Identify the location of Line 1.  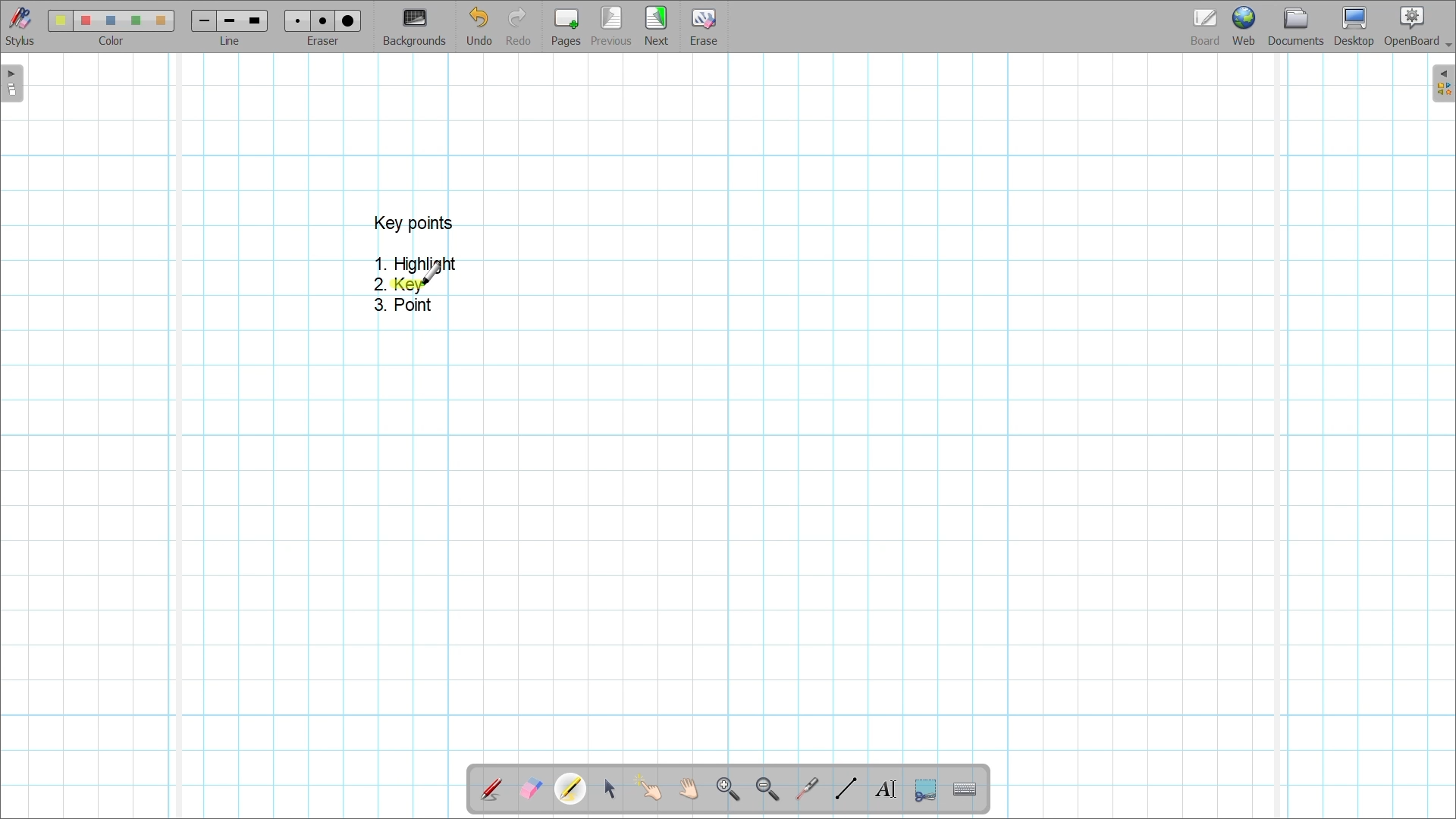
(202, 20).